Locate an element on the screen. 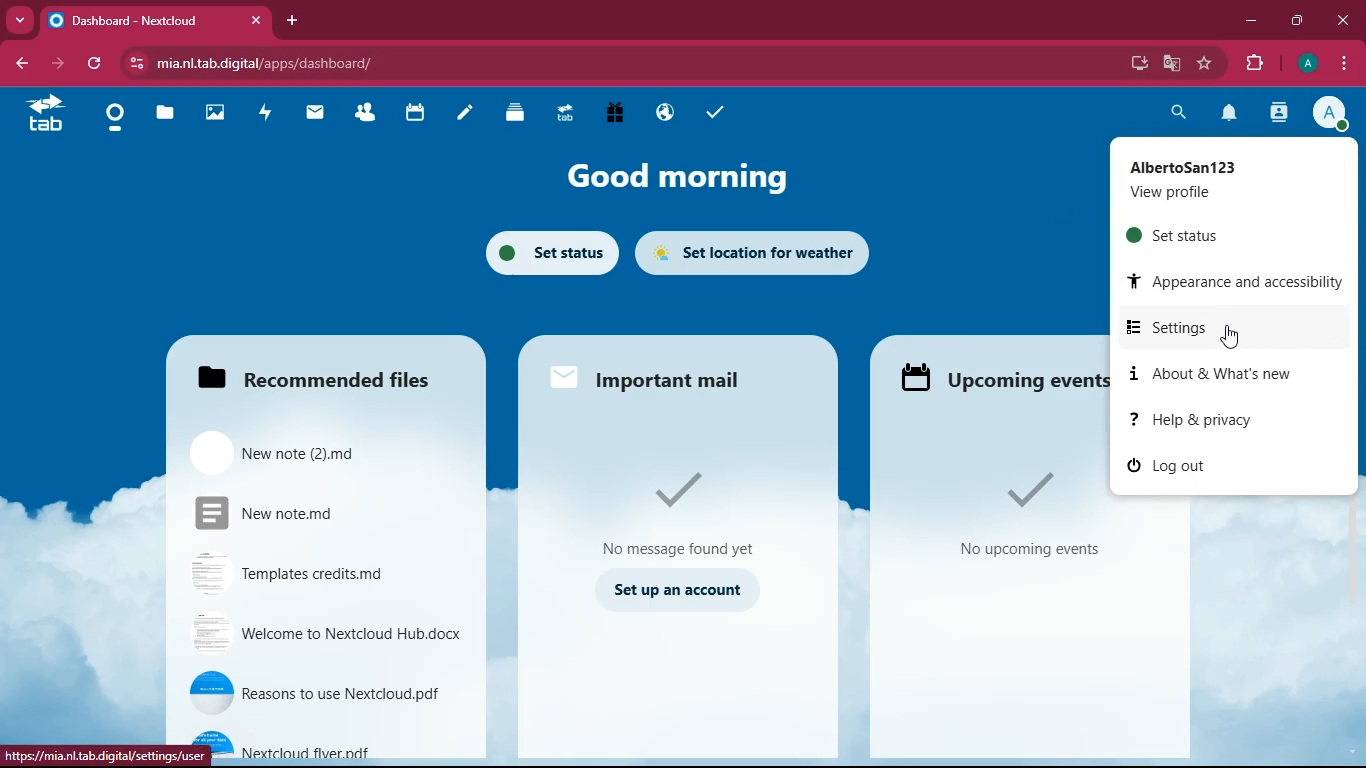 This screenshot has width=1366, height=768. google translate is located at coordinates (1174, 61).